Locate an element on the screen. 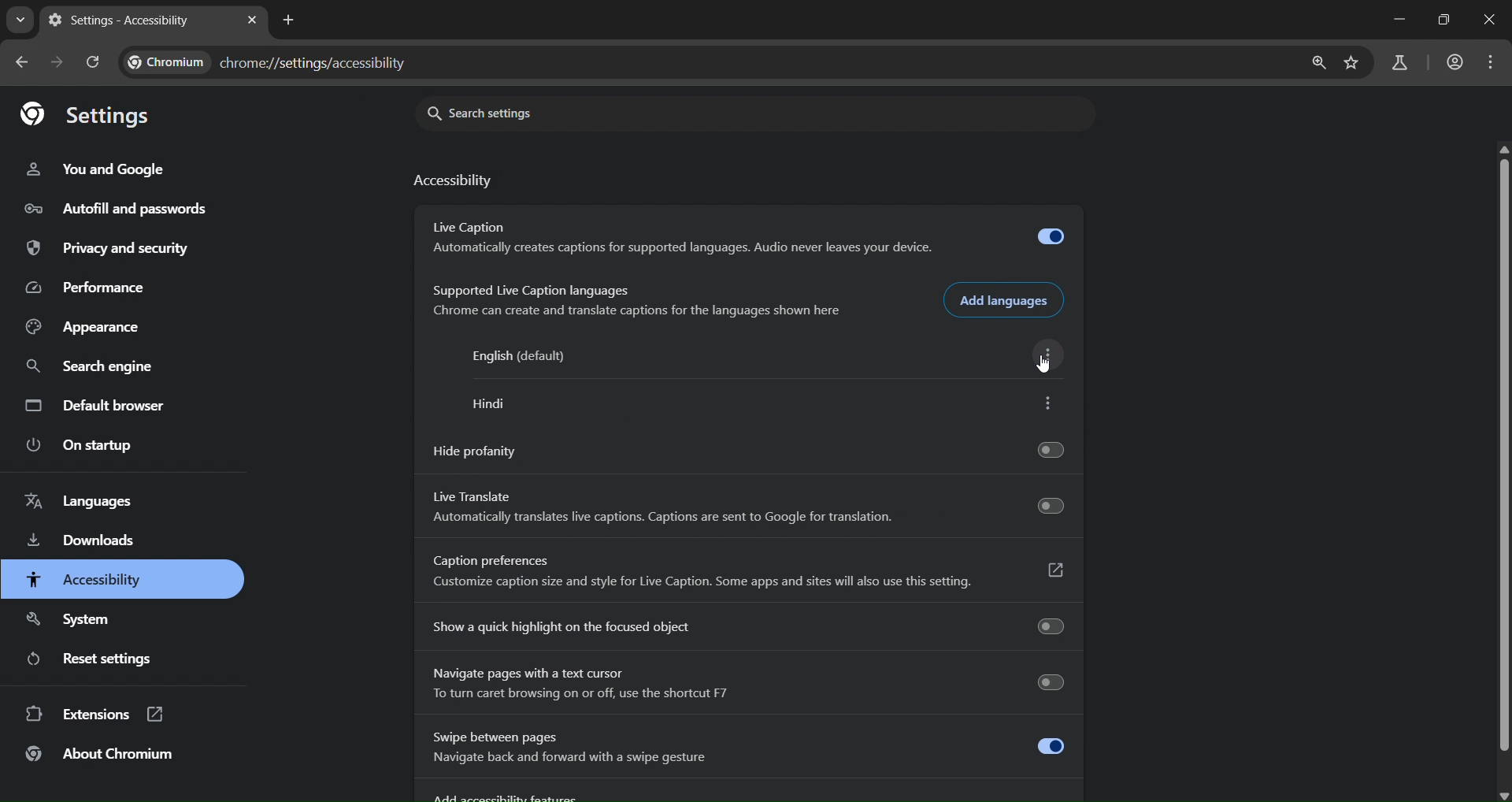 The image size is (1512, 802). Chromium is located at coordinates (167, 61).